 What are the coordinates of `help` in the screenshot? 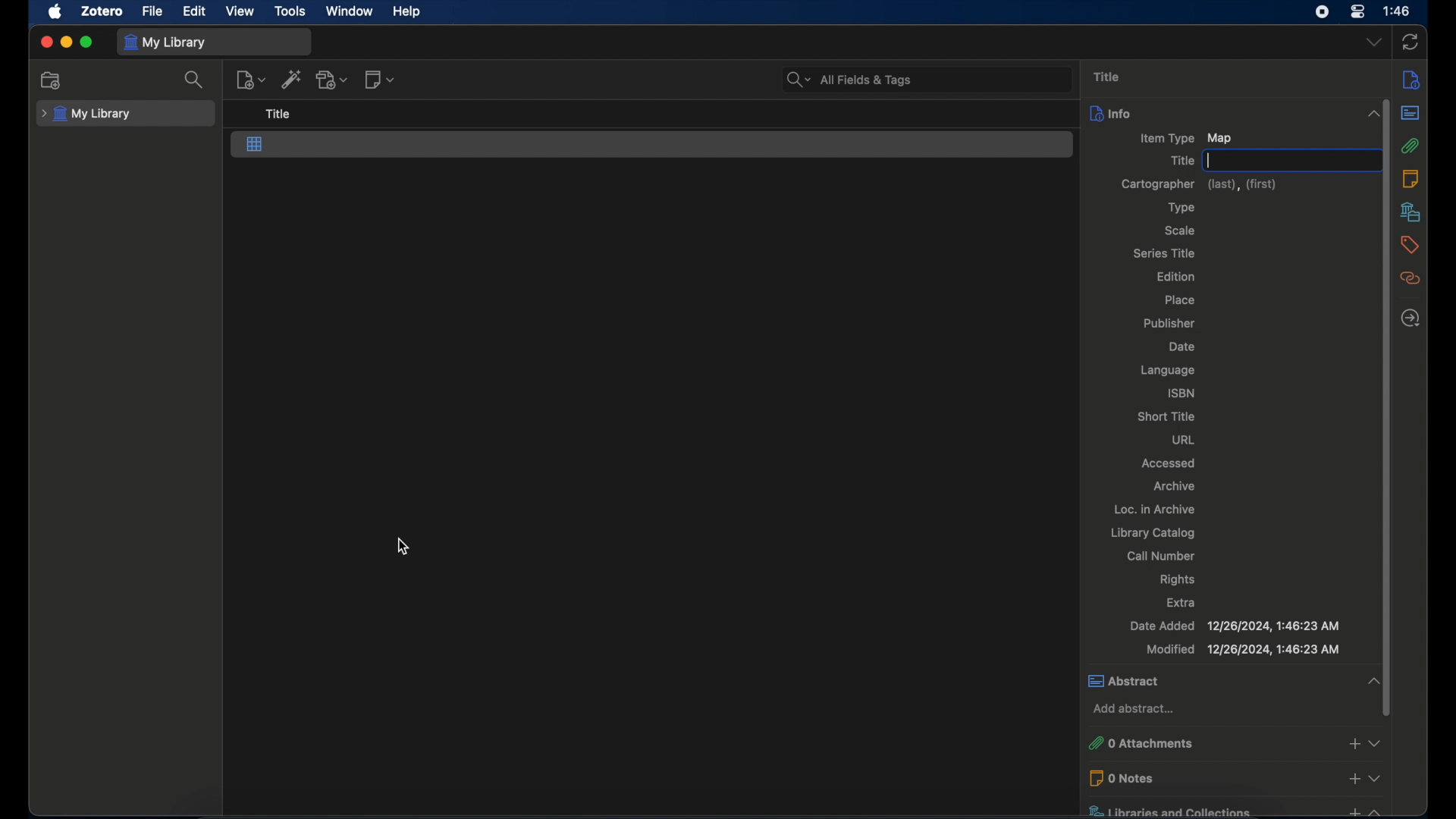 It's located at (406, 11).